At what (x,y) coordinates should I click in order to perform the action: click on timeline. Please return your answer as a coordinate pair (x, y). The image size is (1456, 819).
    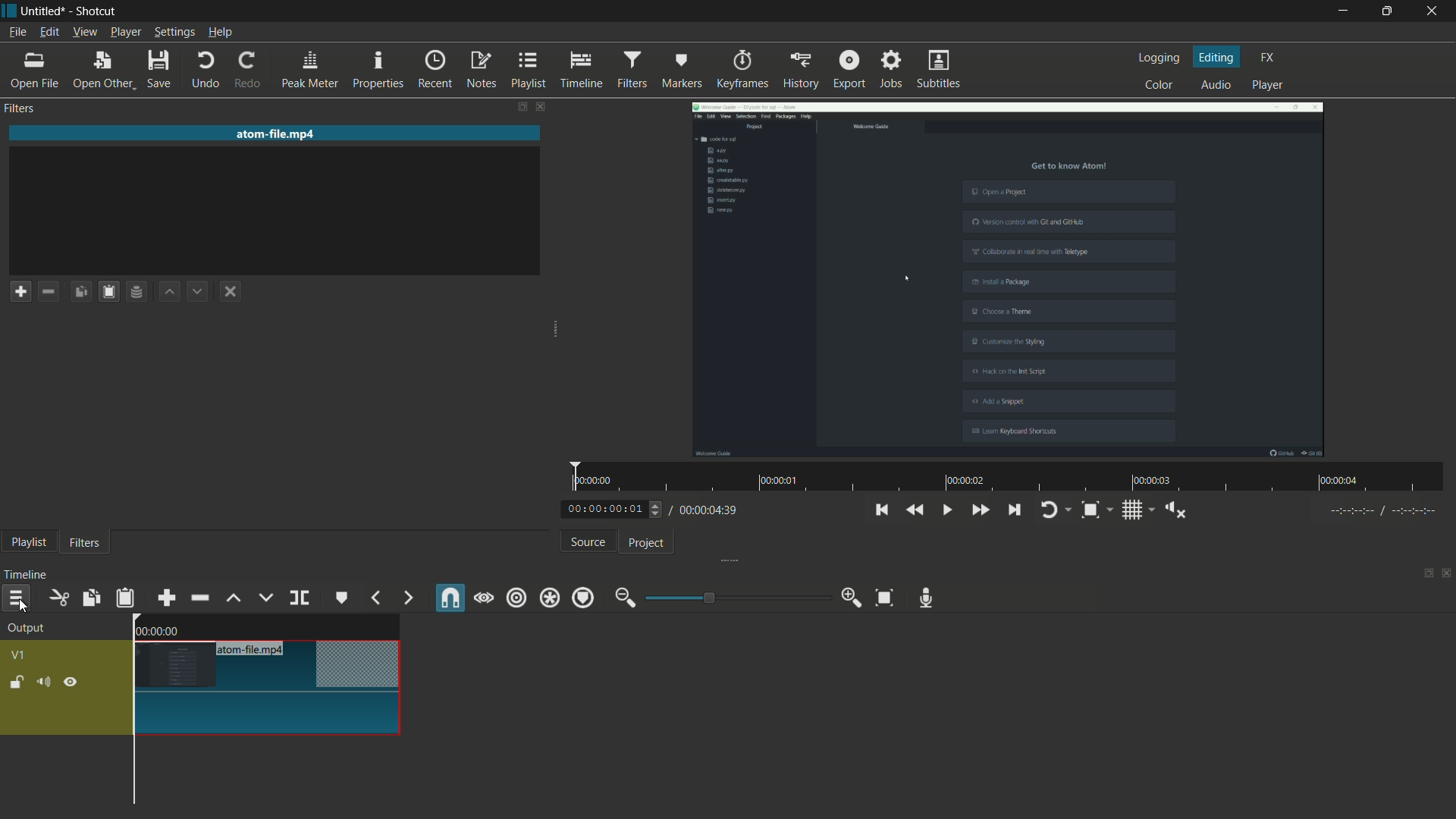
    Looking at the image, I should click on (582, 70).